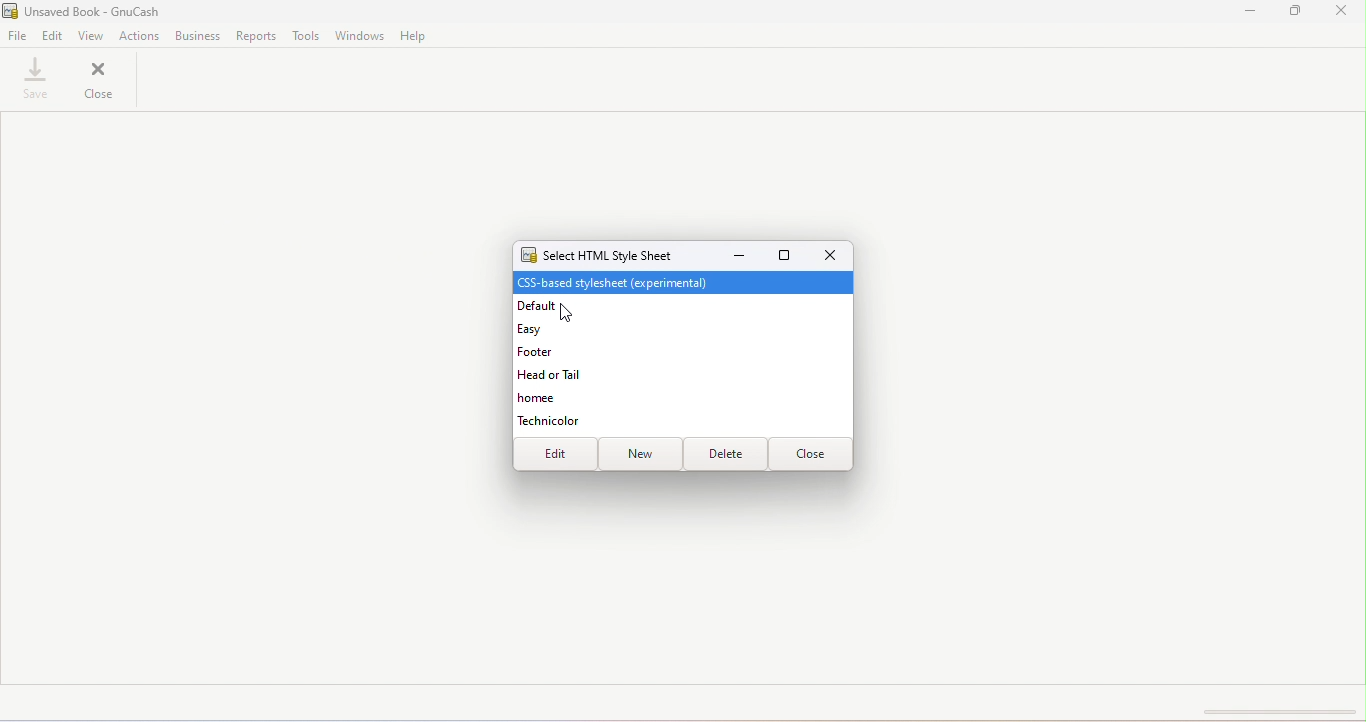 Image resolution: width=1366 pixels, height=722 pixels. I want to click on CSS-based stylesheet [experimental], so click(684, 283).